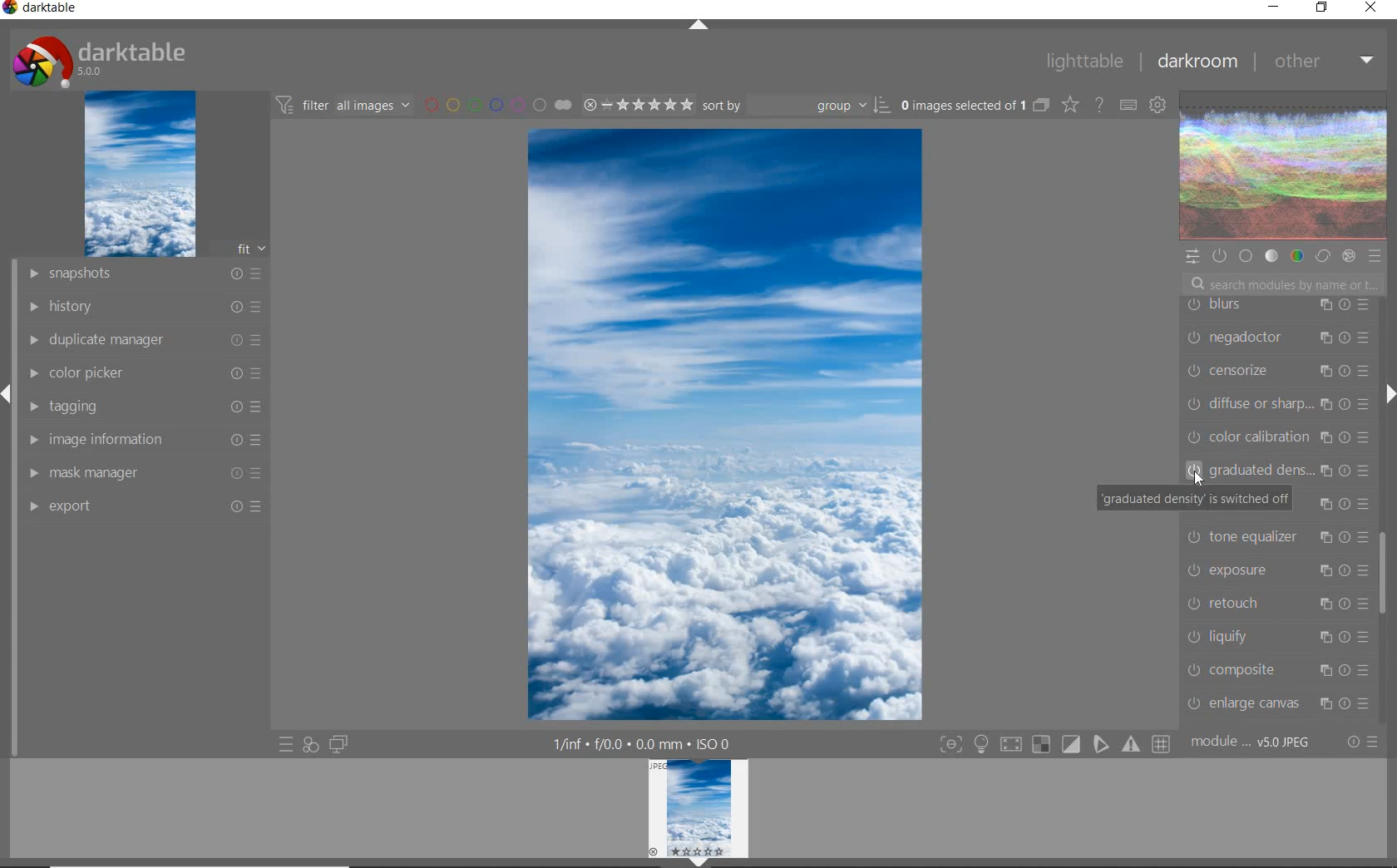 This screenshot has width=1397, height=868. Describe the element at coordinates (142, 340) in the screenshot. I see `DUPLICATE MANAGER` at that location.